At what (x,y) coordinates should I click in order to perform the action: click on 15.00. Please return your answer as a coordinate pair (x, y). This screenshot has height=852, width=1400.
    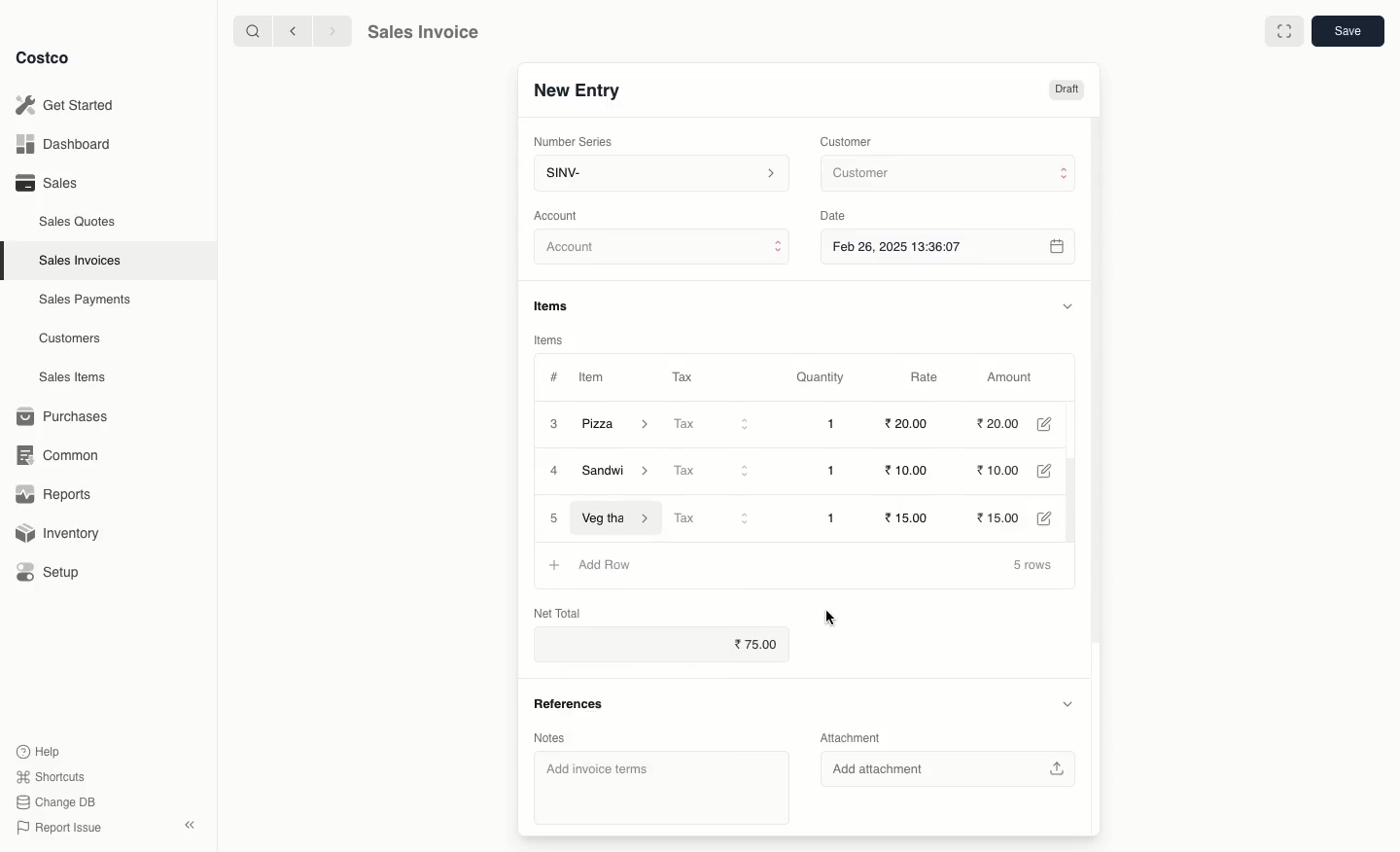
    Looking at the image, I should click on (914, 516).